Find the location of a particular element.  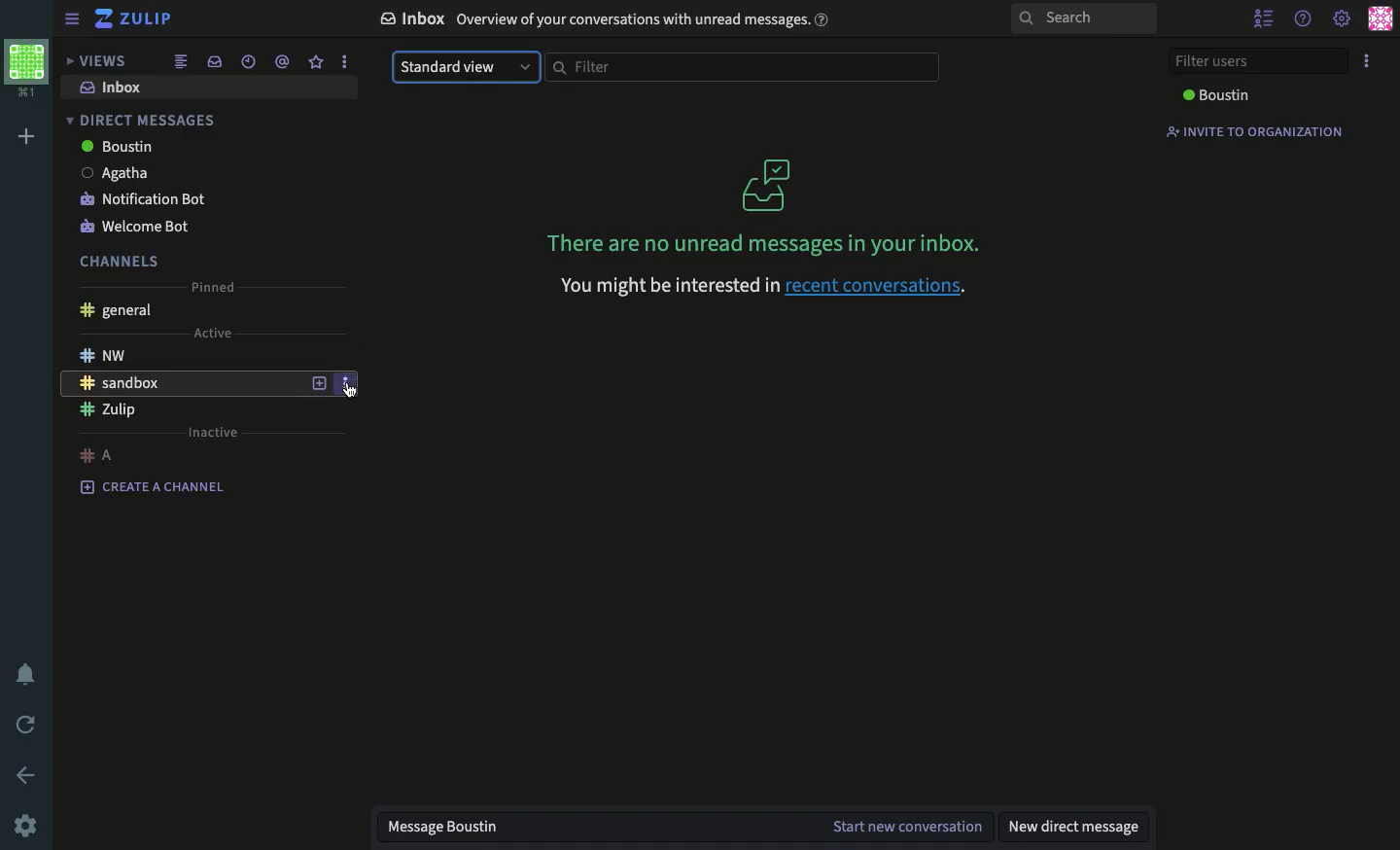

hide user list is located at coordinates (1266, 18).